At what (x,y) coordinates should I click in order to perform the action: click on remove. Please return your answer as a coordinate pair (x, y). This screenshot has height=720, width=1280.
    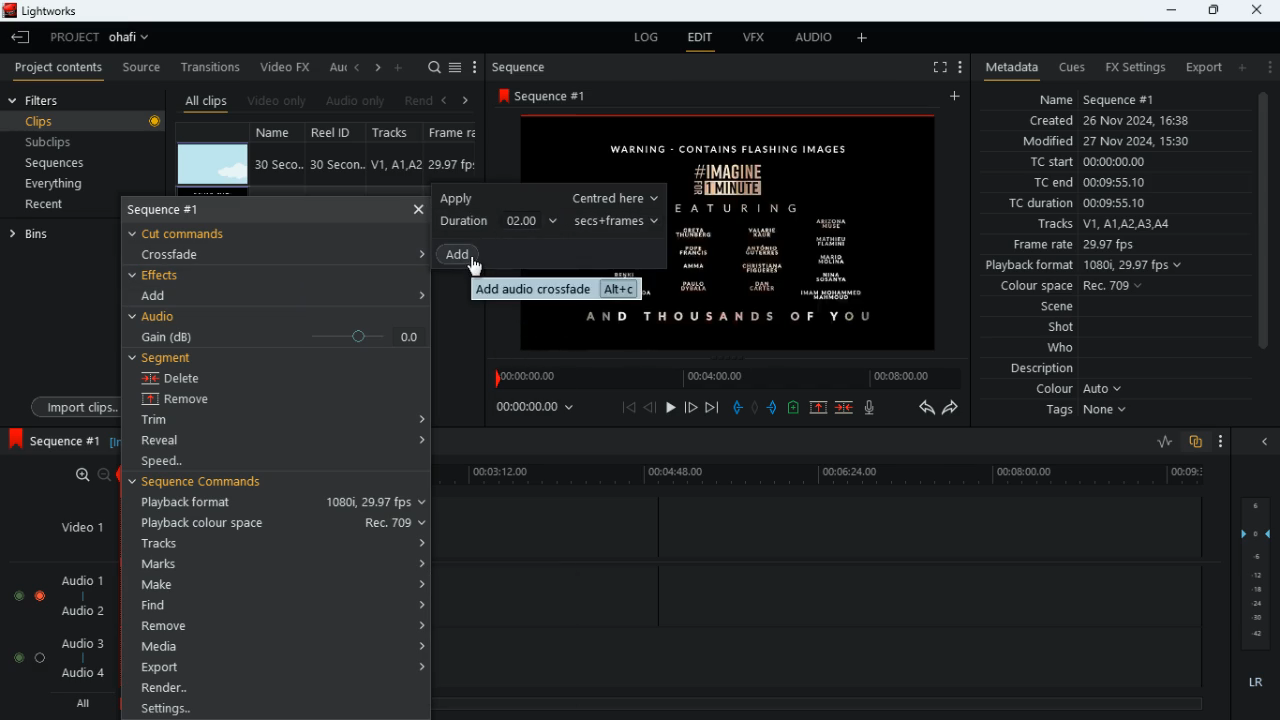
    Looking at the image, I should click on (283, 626).